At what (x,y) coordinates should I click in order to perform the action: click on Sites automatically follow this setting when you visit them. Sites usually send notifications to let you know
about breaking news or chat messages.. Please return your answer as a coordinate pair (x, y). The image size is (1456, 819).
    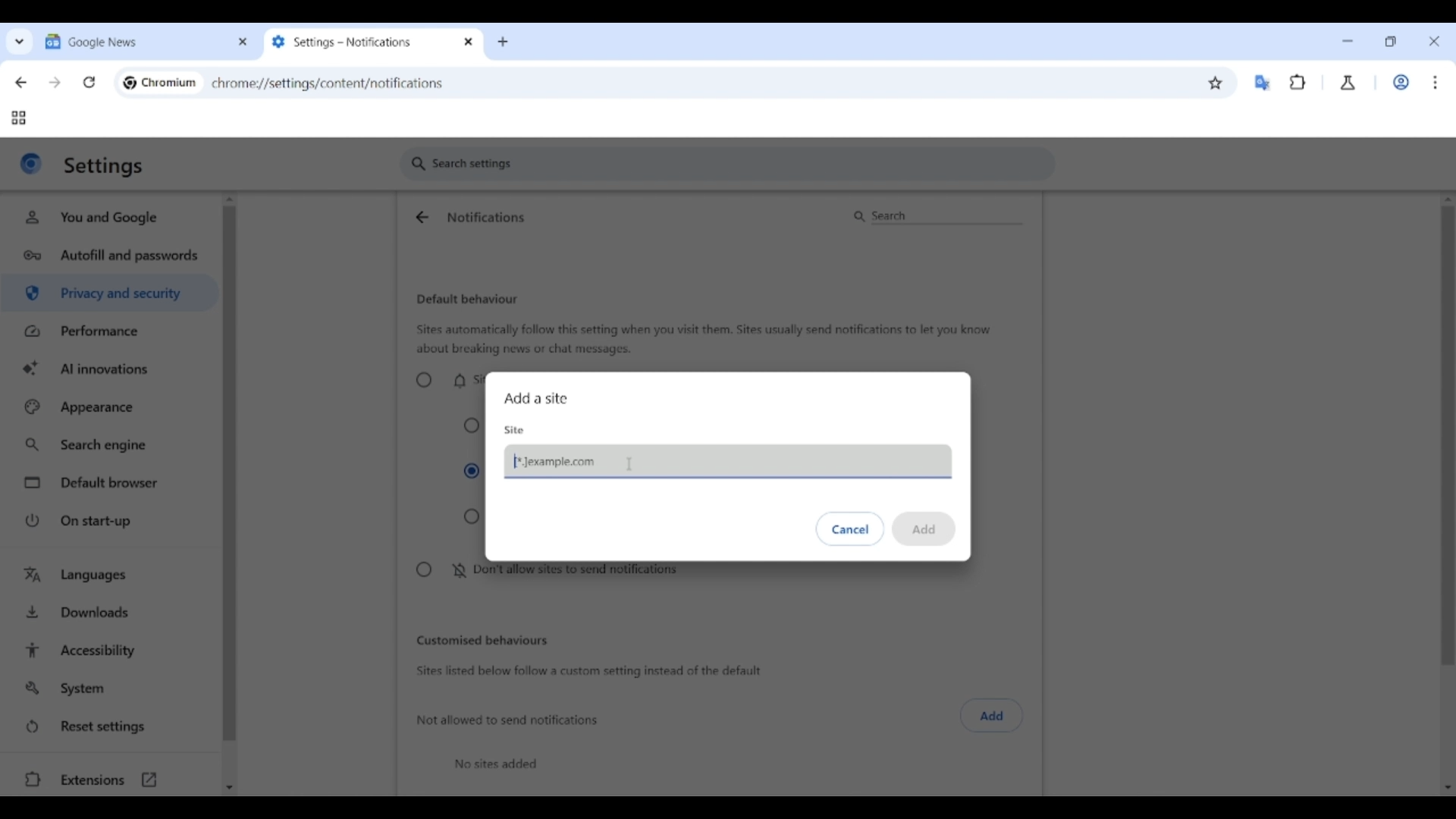
    Looking at the image, I should click on (704, 340).